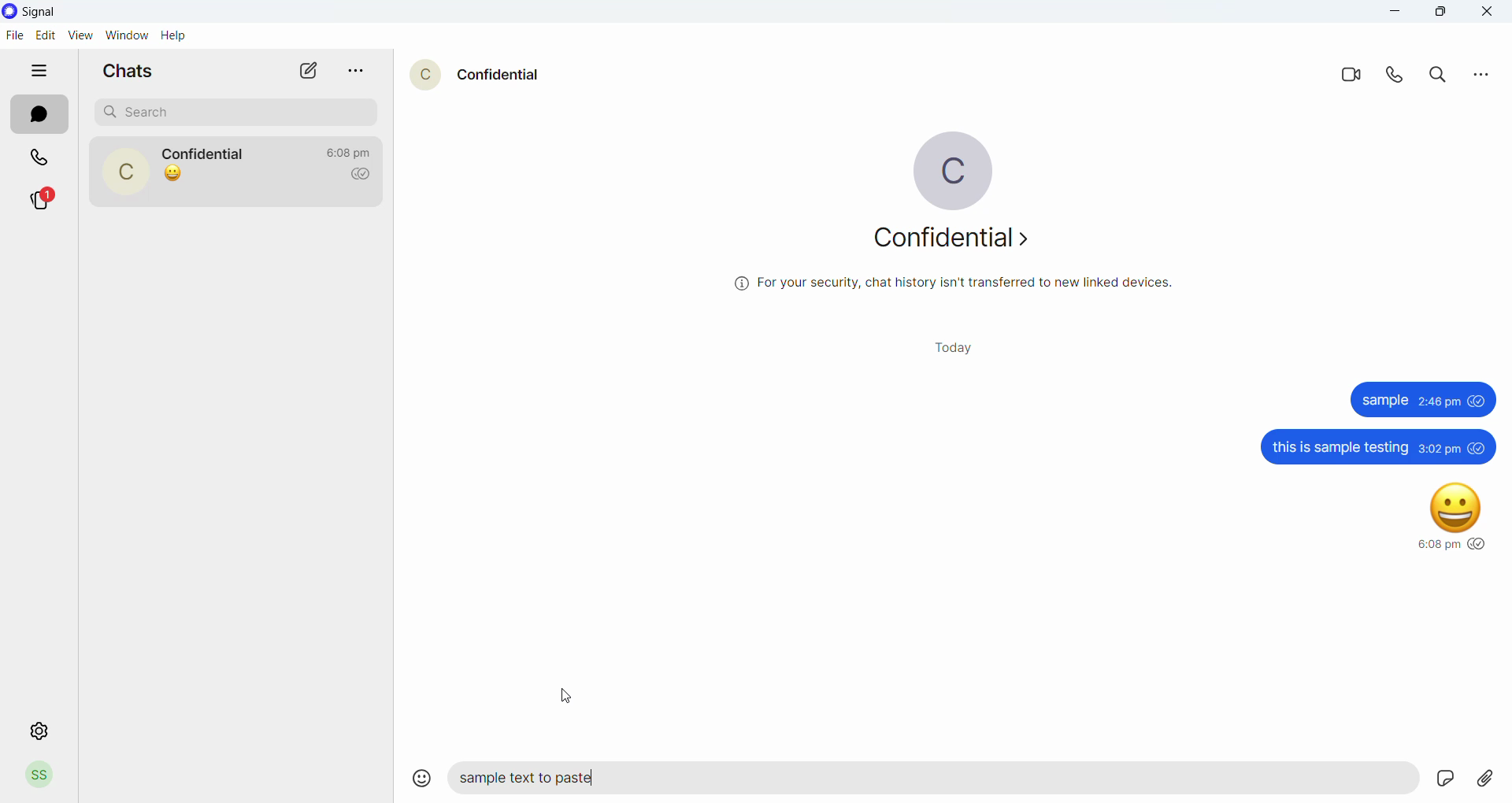 The image size is (1512, 803). Describe the element at coordinates (1421, 400) in the screenshot. I see `sample` at that location.